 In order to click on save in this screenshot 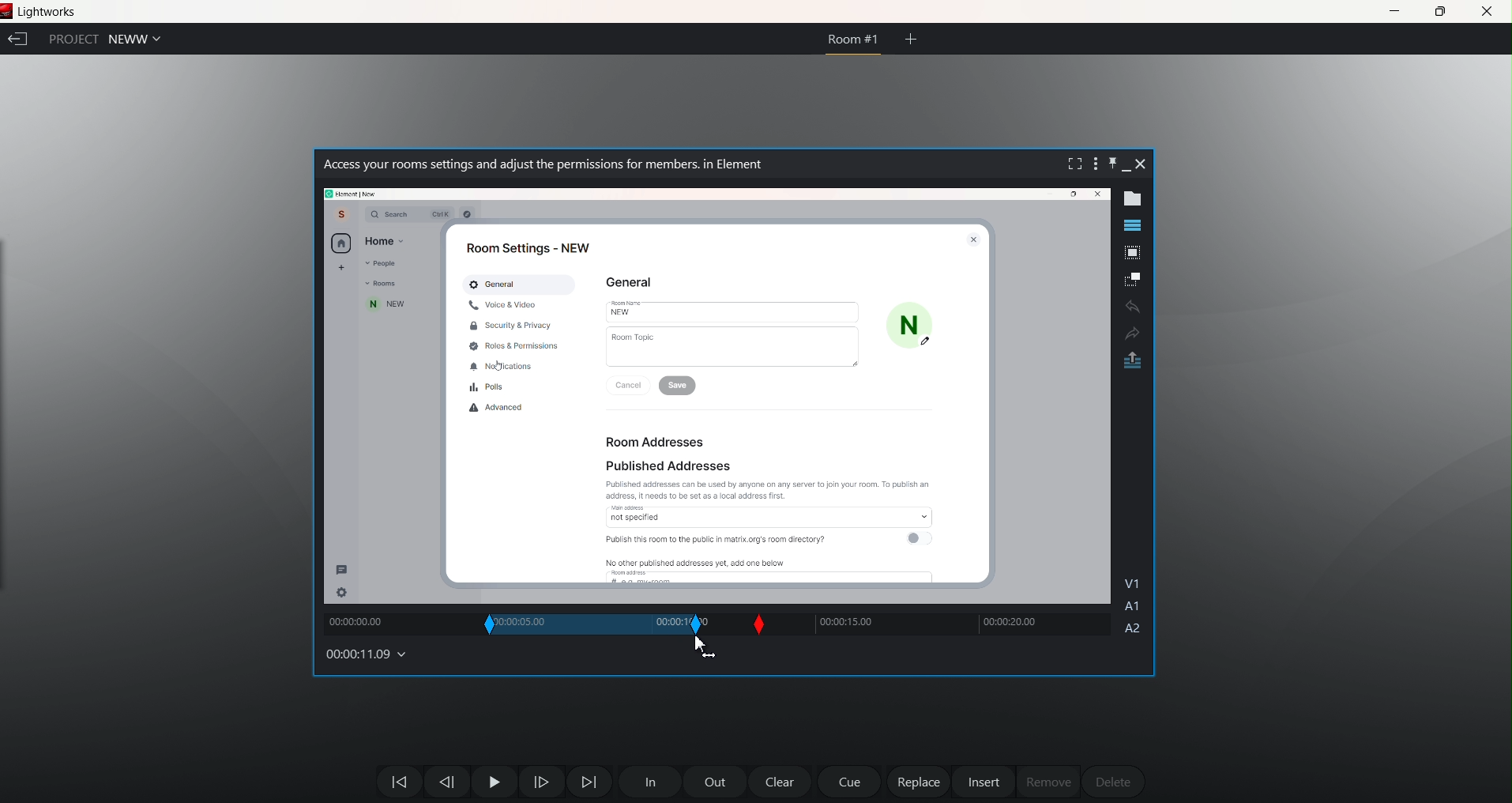, I will do `click(682, 386)`.